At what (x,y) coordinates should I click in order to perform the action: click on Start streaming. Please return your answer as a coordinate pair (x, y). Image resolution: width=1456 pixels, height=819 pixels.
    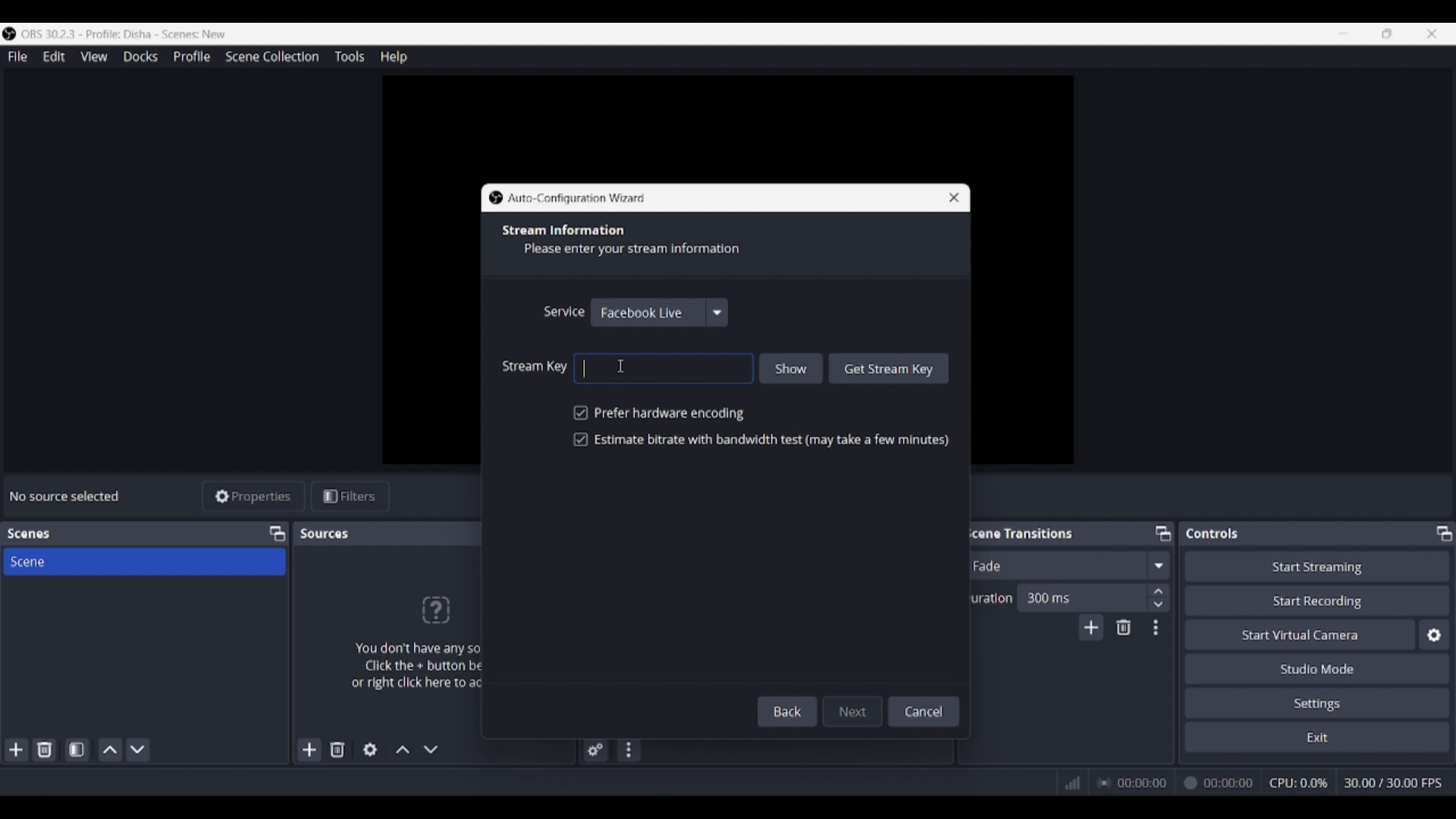
    Looking at the image, I should click on (1318, 566).